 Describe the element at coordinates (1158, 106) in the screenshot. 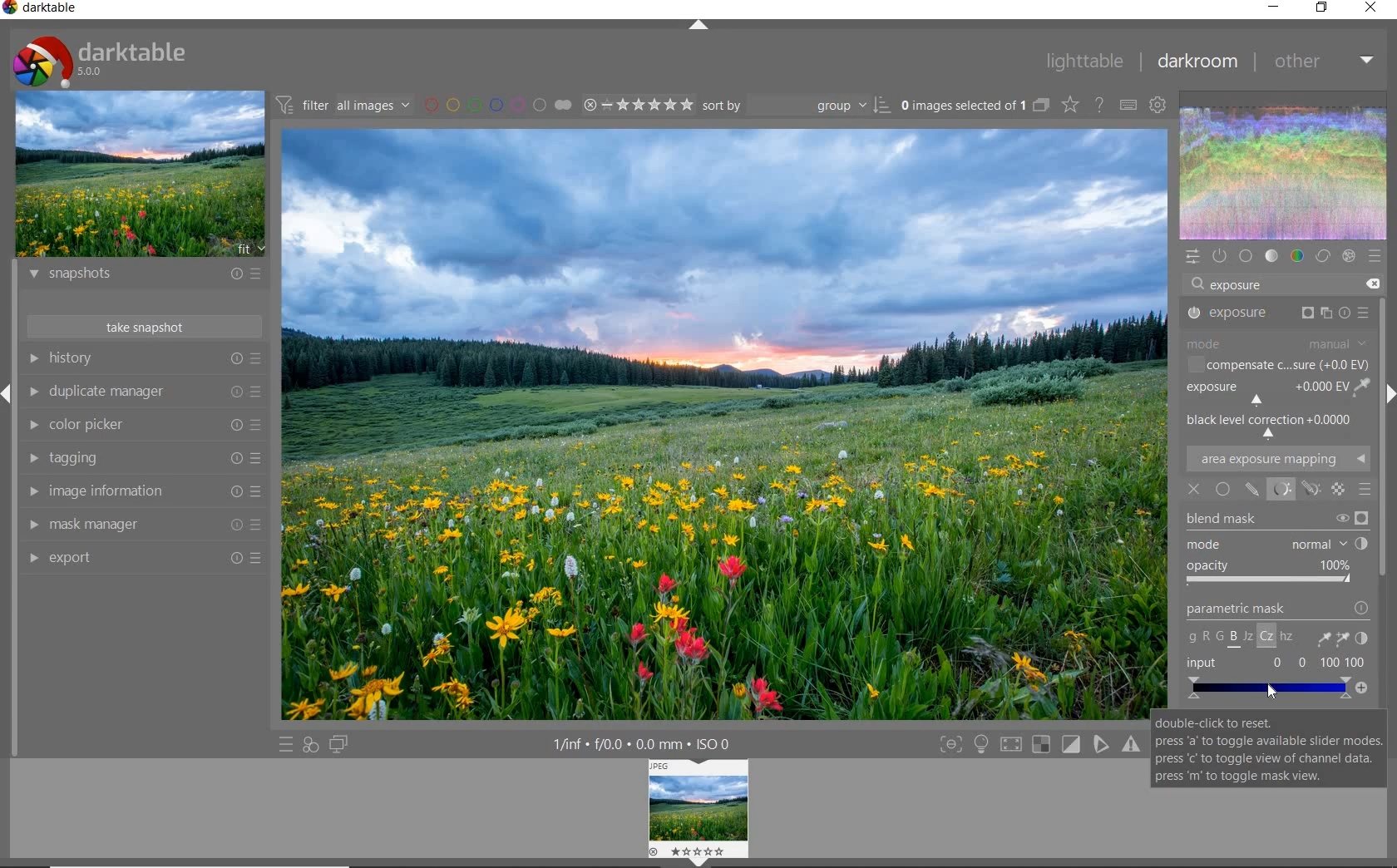

I see `show global preferences` at that location.